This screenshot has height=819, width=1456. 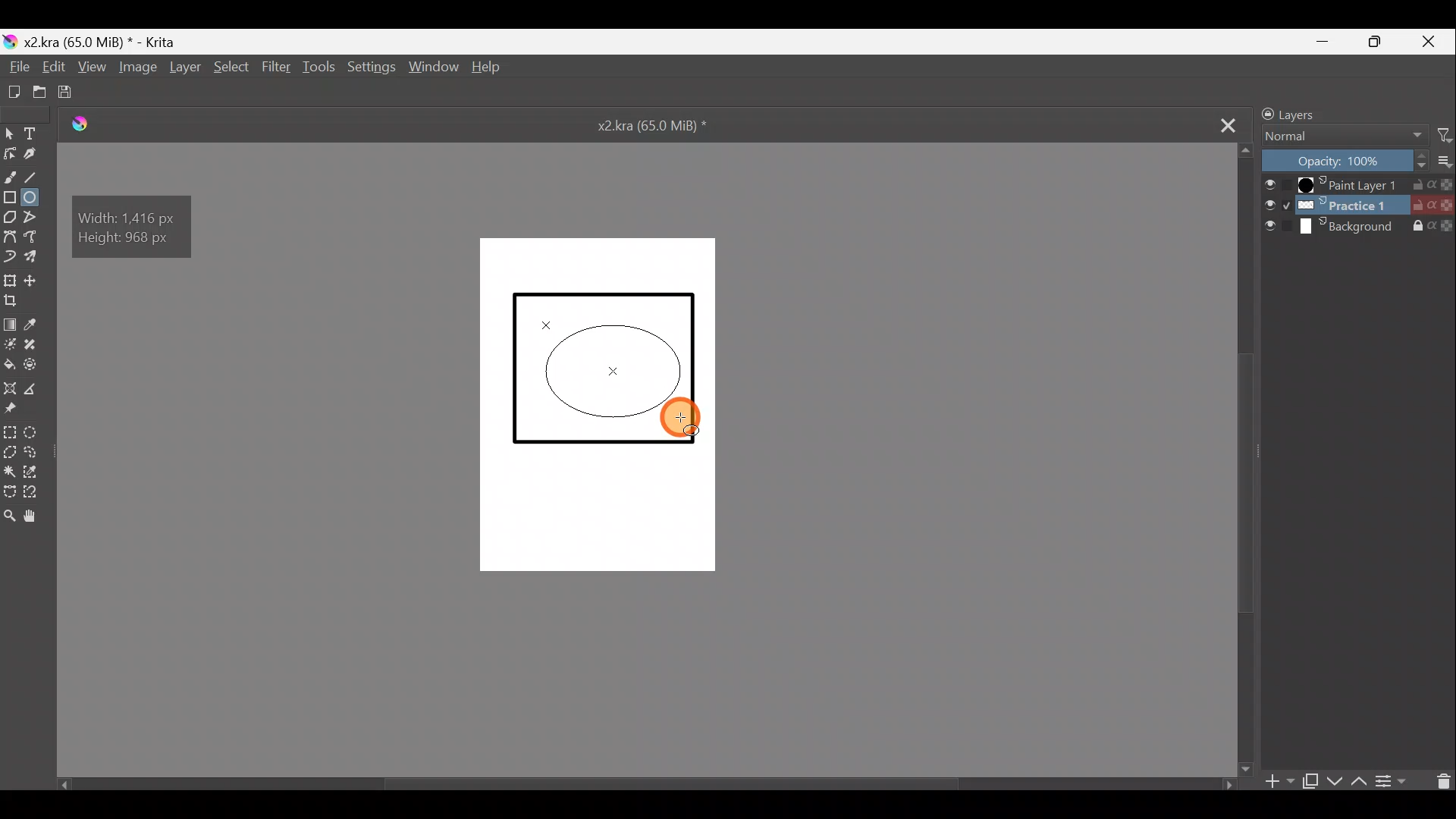 I want to click on Transform a layer/selection, so click(x=12, y=280).